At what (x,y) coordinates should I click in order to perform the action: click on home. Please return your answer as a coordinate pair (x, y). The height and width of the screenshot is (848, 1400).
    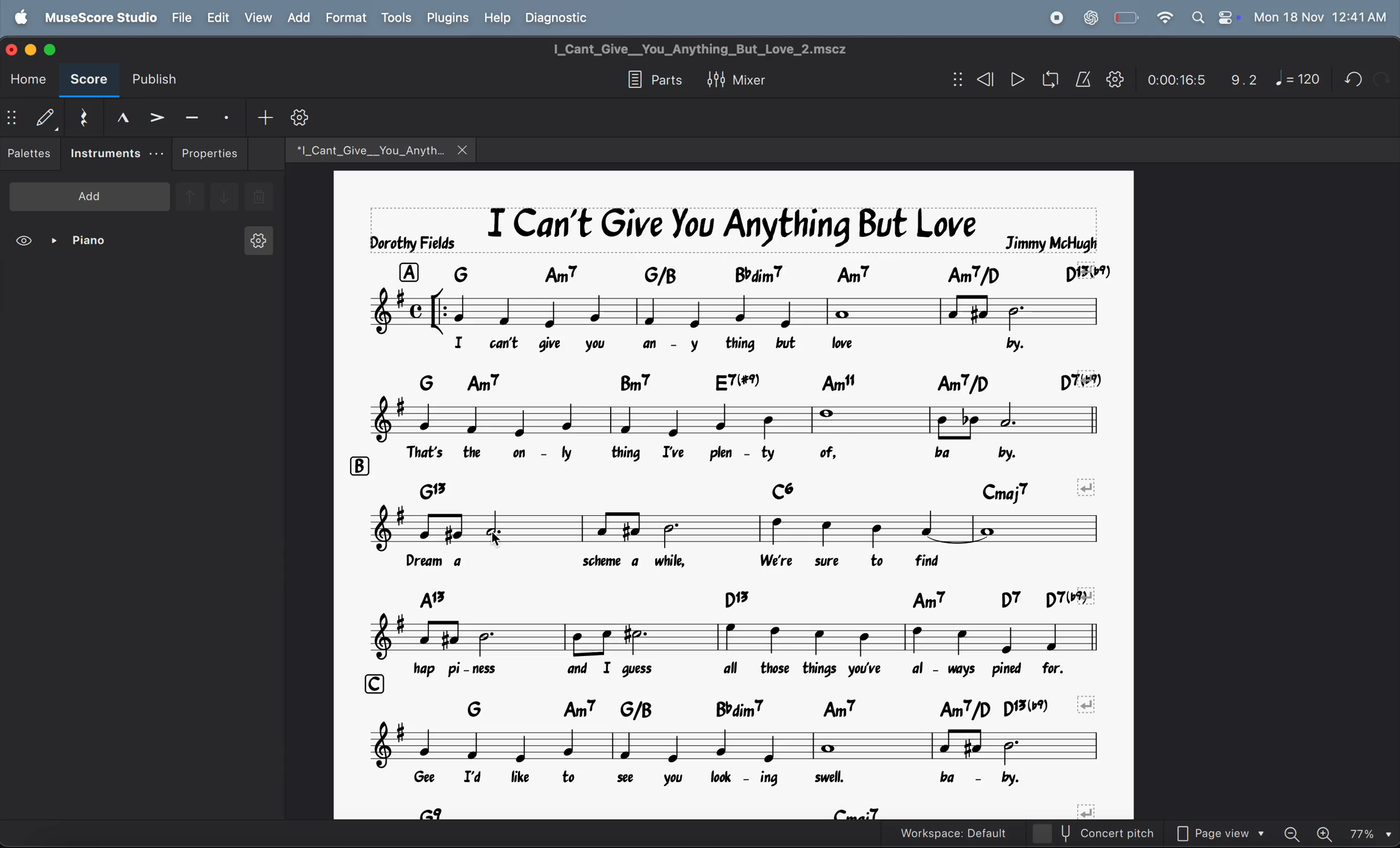
    Looking at the image, I should click on (28, 80).